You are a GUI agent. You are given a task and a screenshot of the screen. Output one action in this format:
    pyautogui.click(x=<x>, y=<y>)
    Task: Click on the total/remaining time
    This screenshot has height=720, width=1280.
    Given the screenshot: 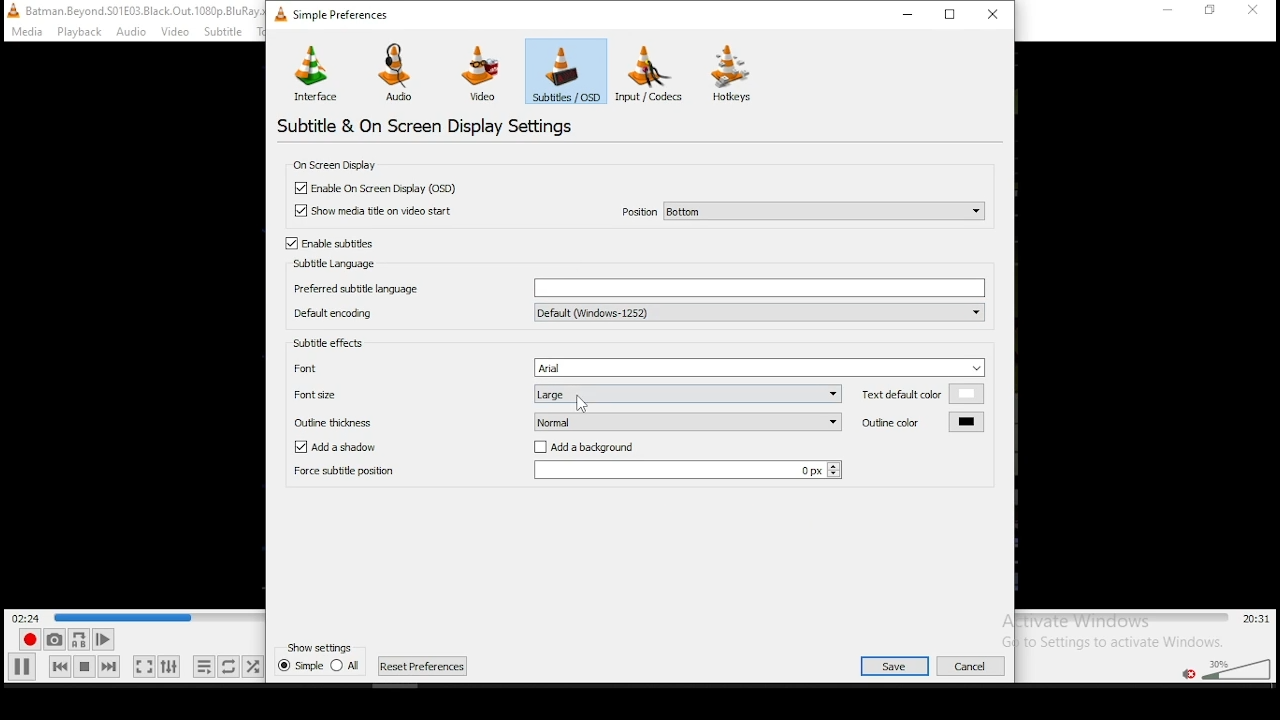 What is the action you would take?
    pyautogui.click(x=1258, y=619)
    